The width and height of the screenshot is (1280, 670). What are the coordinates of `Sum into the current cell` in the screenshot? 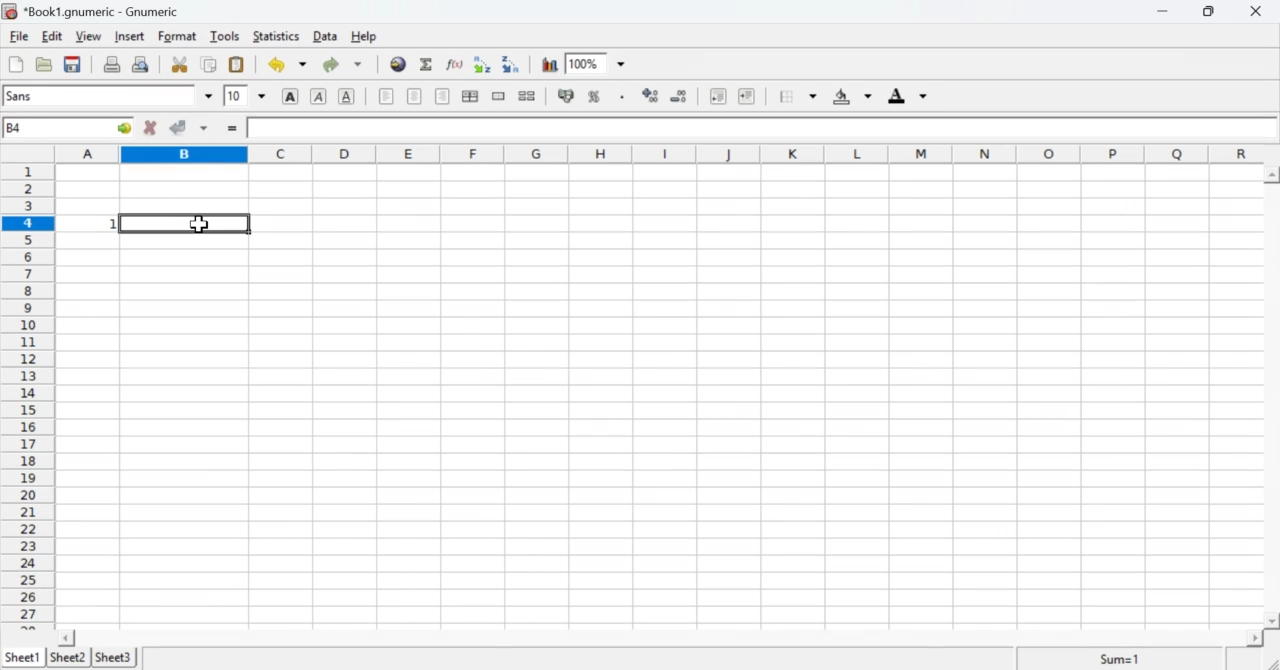 It's located at (429, 63).